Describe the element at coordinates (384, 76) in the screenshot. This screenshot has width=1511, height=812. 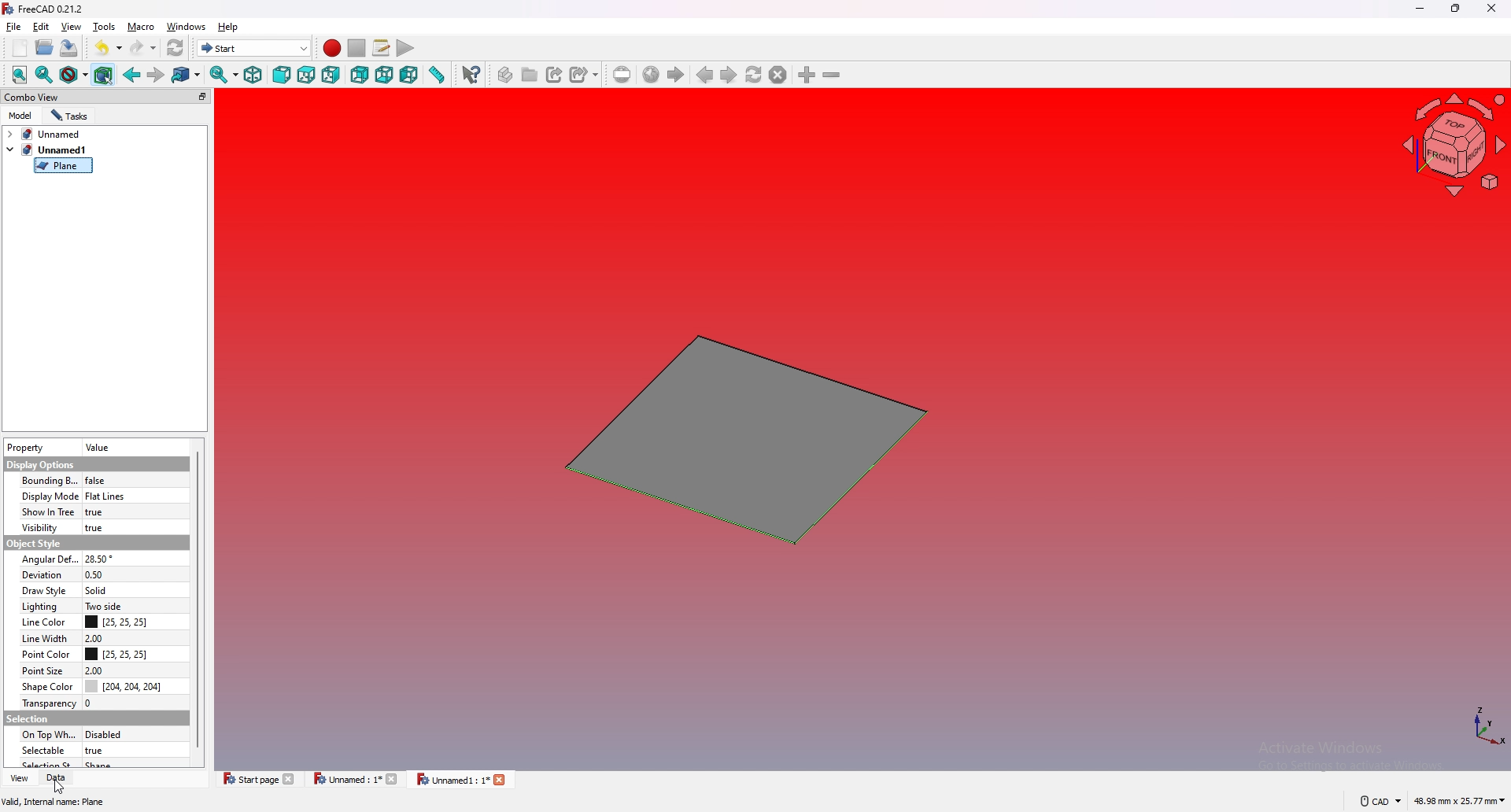
I see `bottom` at that location.